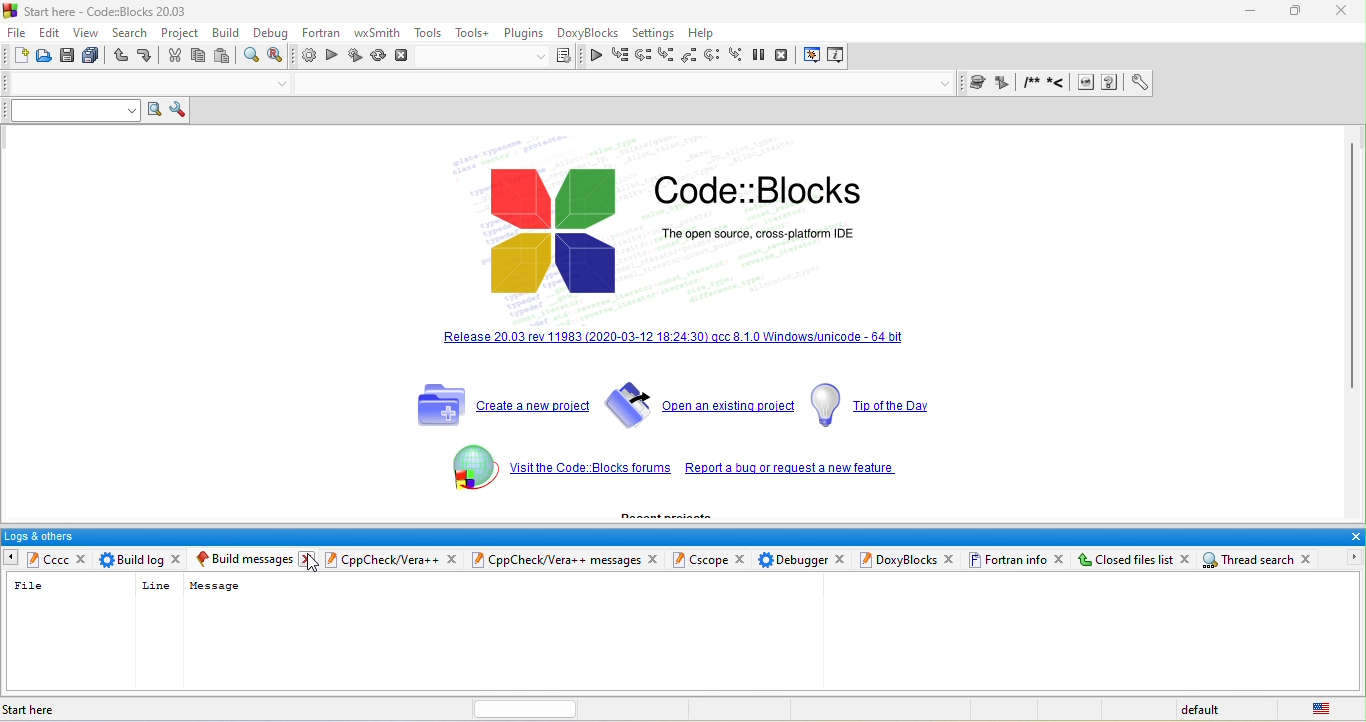 Image resolution: width=1366 pixels, height=722 pixels. Describe the element at coordinates (1250, 560) in the screenshot. I see `thread search` at that location.